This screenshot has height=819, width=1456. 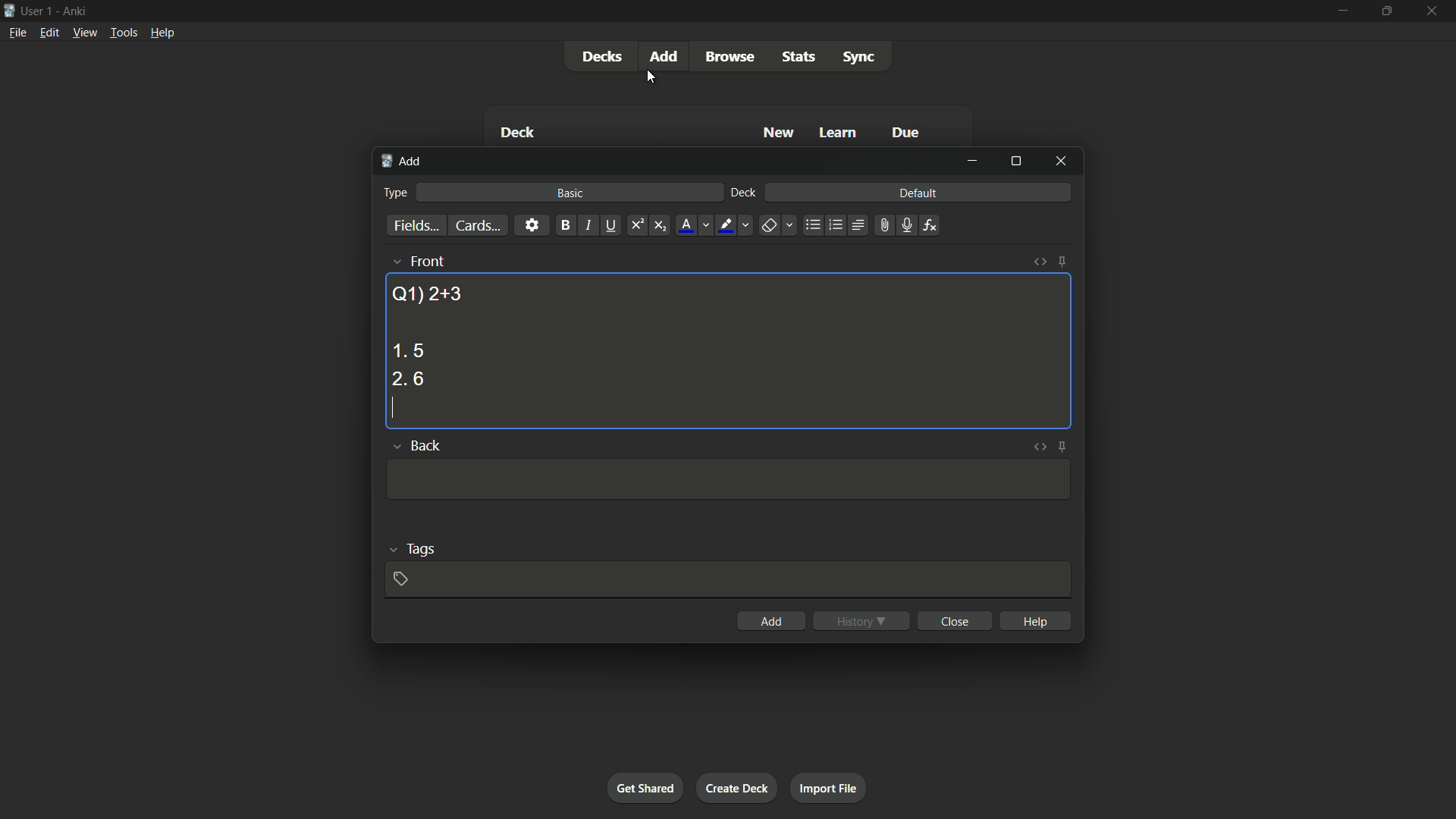 What do you see at coordinates (836, 225) in the screenshot?
I see `ordered list` at bounding box center [836, 225].